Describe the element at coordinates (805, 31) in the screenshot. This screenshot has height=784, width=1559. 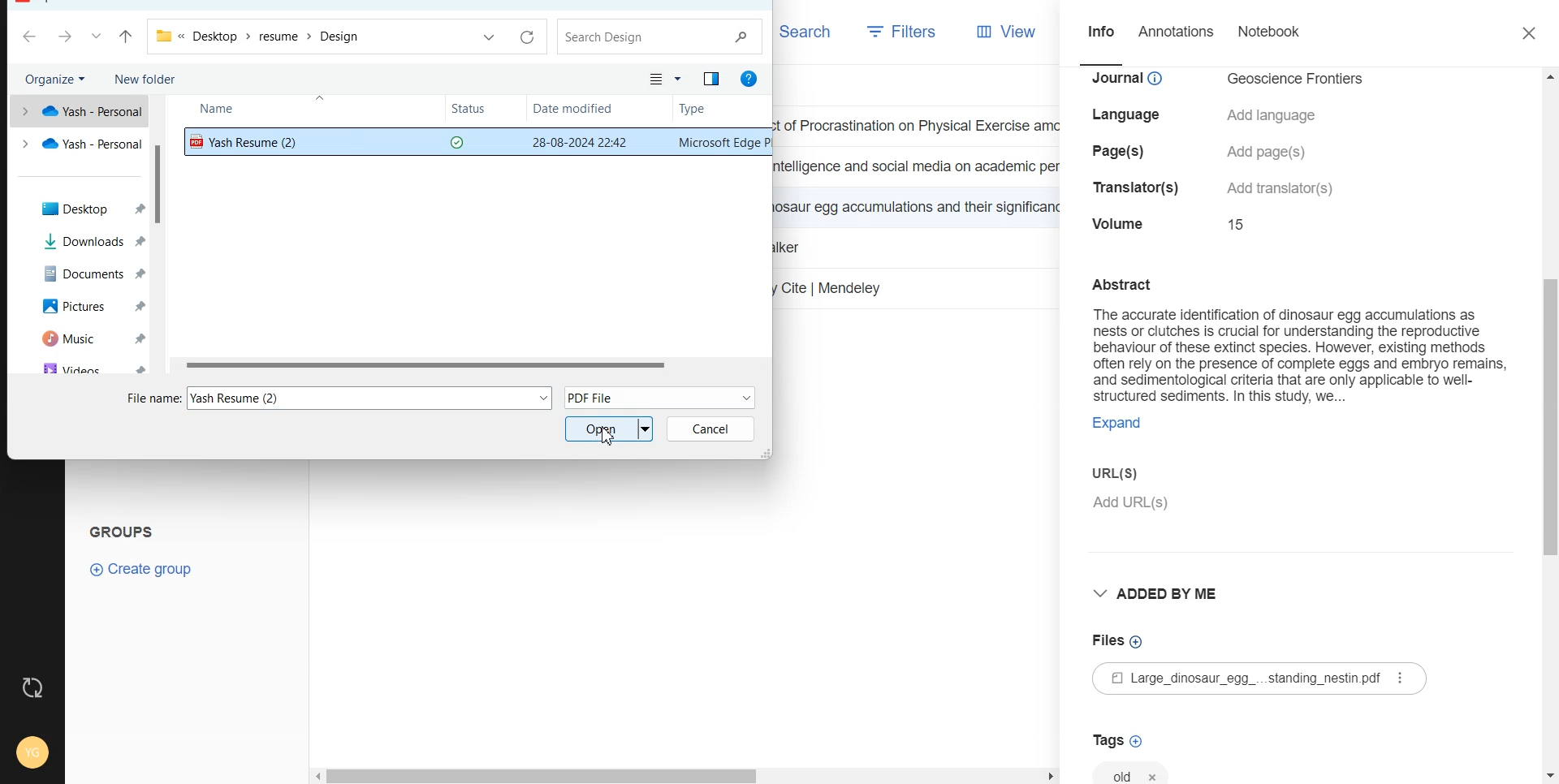
I see `Search ` at that location.